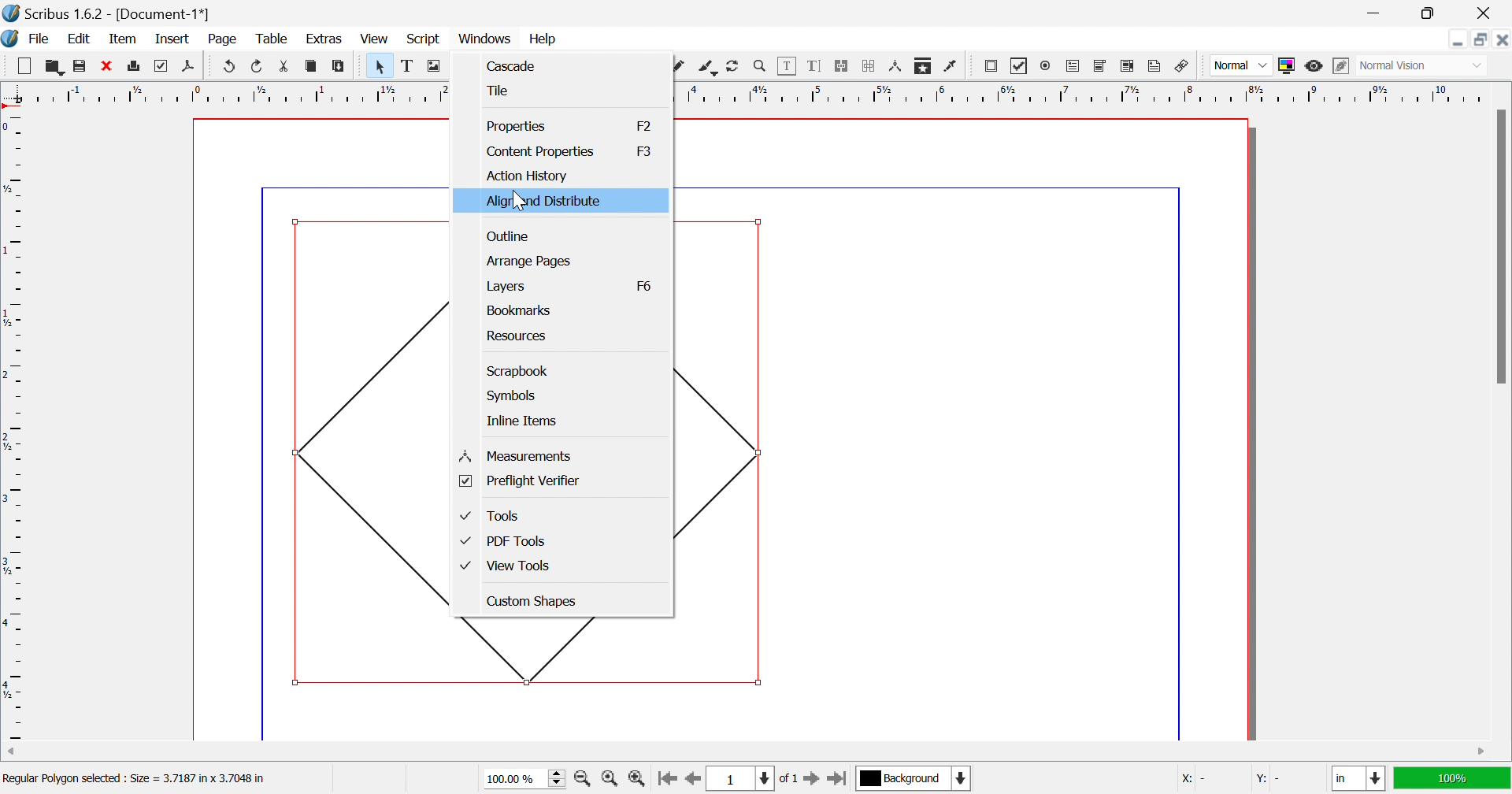  Describe the element at coordinates (547, 68) in the screenshot. I see `Polygon` at that location.